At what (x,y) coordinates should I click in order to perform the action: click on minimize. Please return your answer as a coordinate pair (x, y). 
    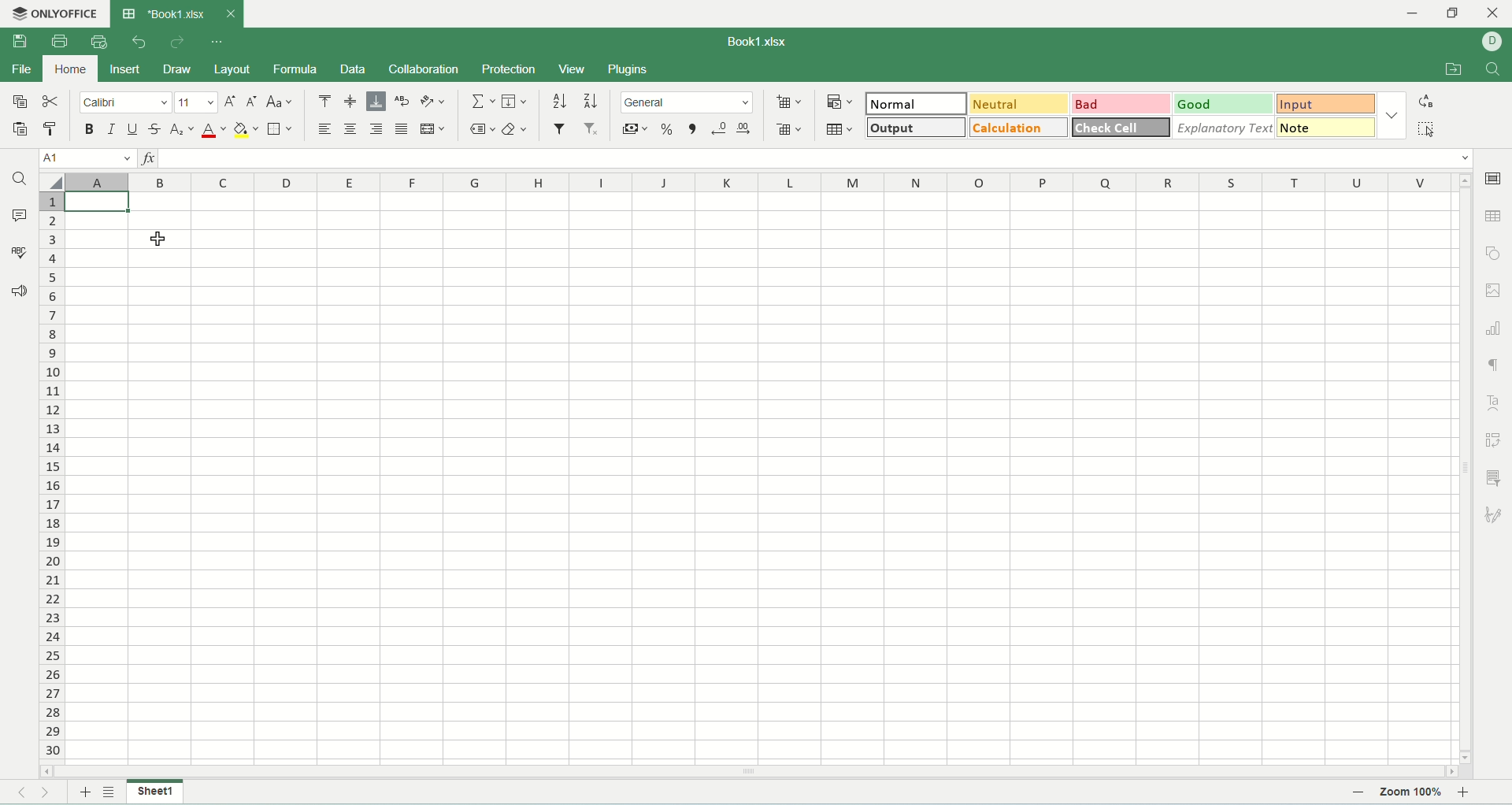
    Looking at the image, I should click on (1421, 14).